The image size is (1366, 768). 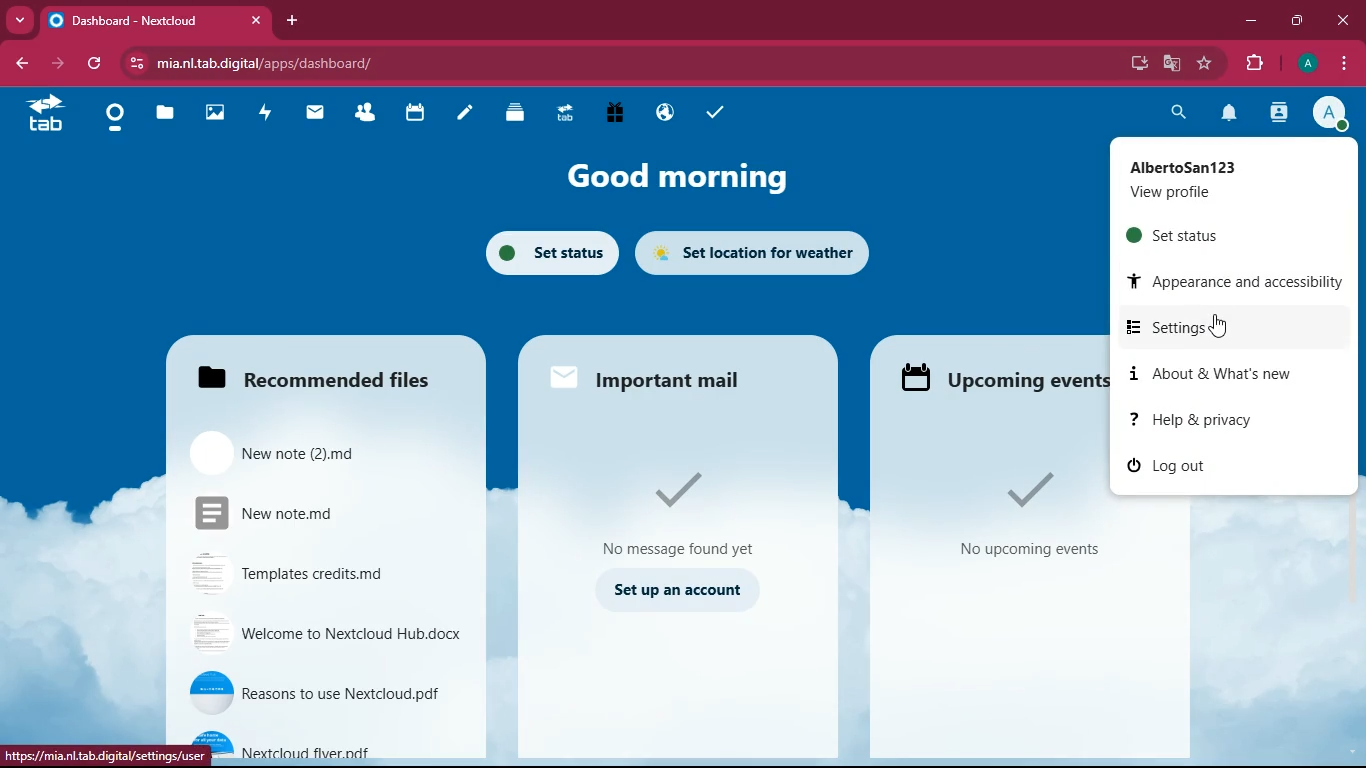 I want to click on No upcoming events, so click(x=1027, y=551).